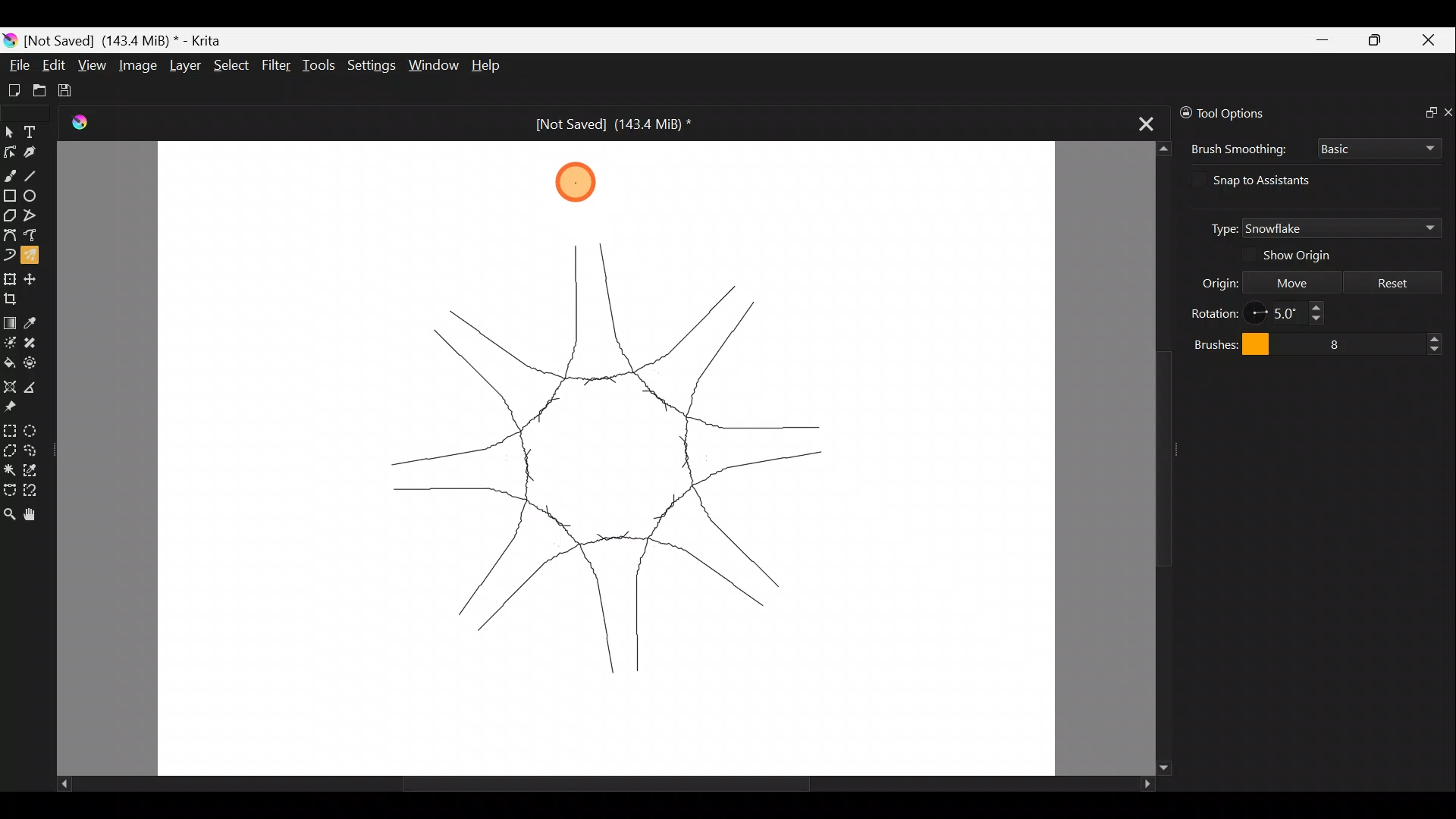 This screenshot has height=819, width=1456. What do you see at coordinates (32, 342) in the screenshot?
I see `Smart patch tool` at bounding box center [32, 342].